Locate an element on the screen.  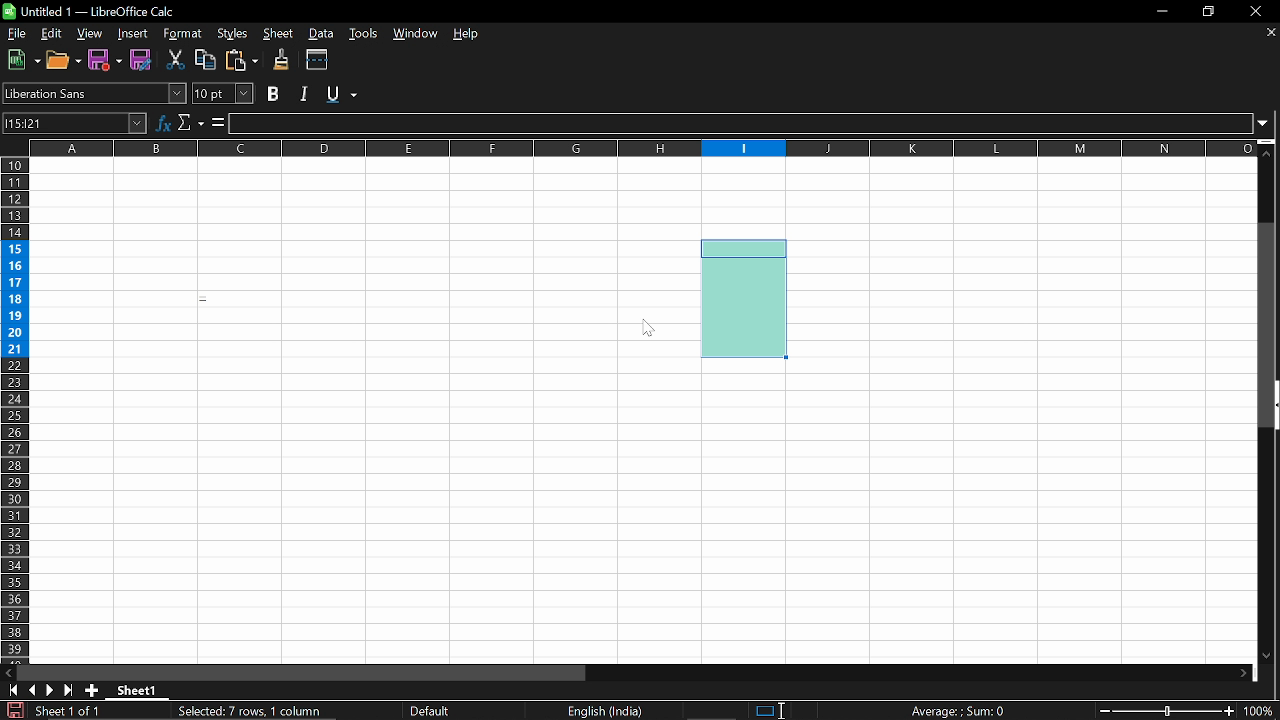
Split wondows is located at coordinates (318, 60).